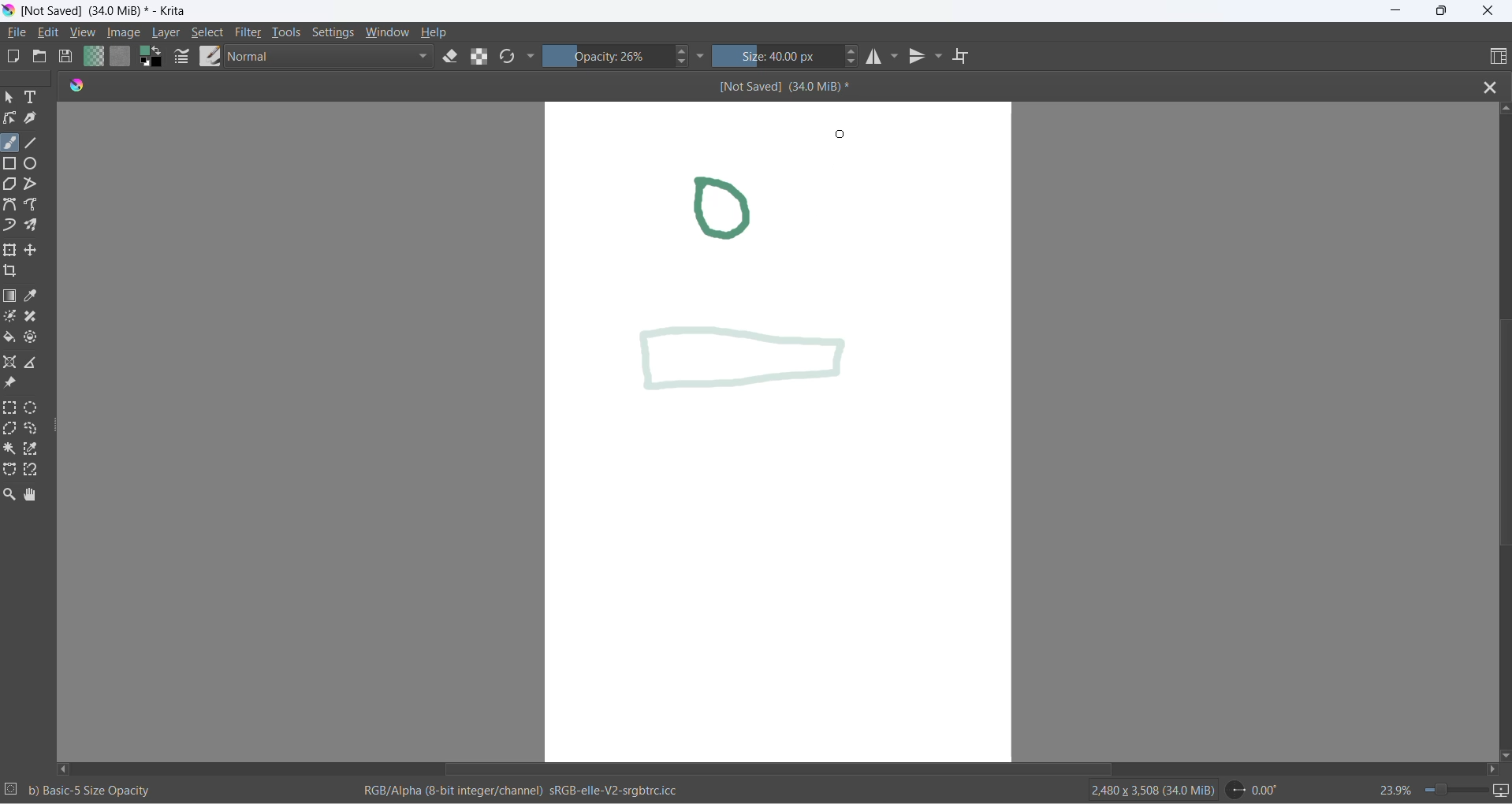 Image resolution: width=1512 pixels, height=804 pixels. What do you see at coordinates (10, 185) in the screenshot?
I see `polygon tool` at bounding box center [10, 185].